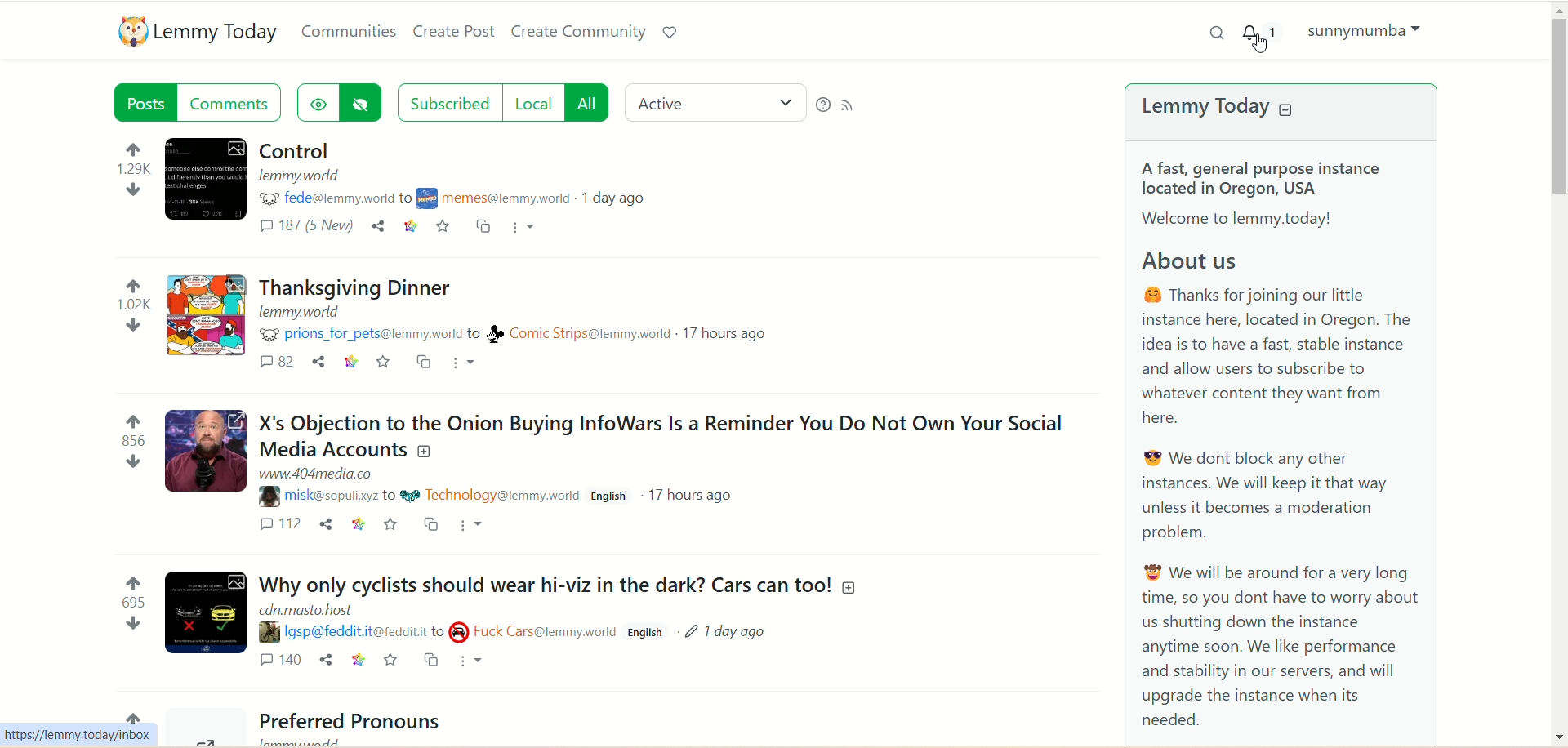 Image resolution: width=1568 pixels, height=748 pixels. What do you see at coordinates (416, 309) in the screenshot?
I see `Post on "Thanksgiving dinner"` at bounding box center [416, 309].